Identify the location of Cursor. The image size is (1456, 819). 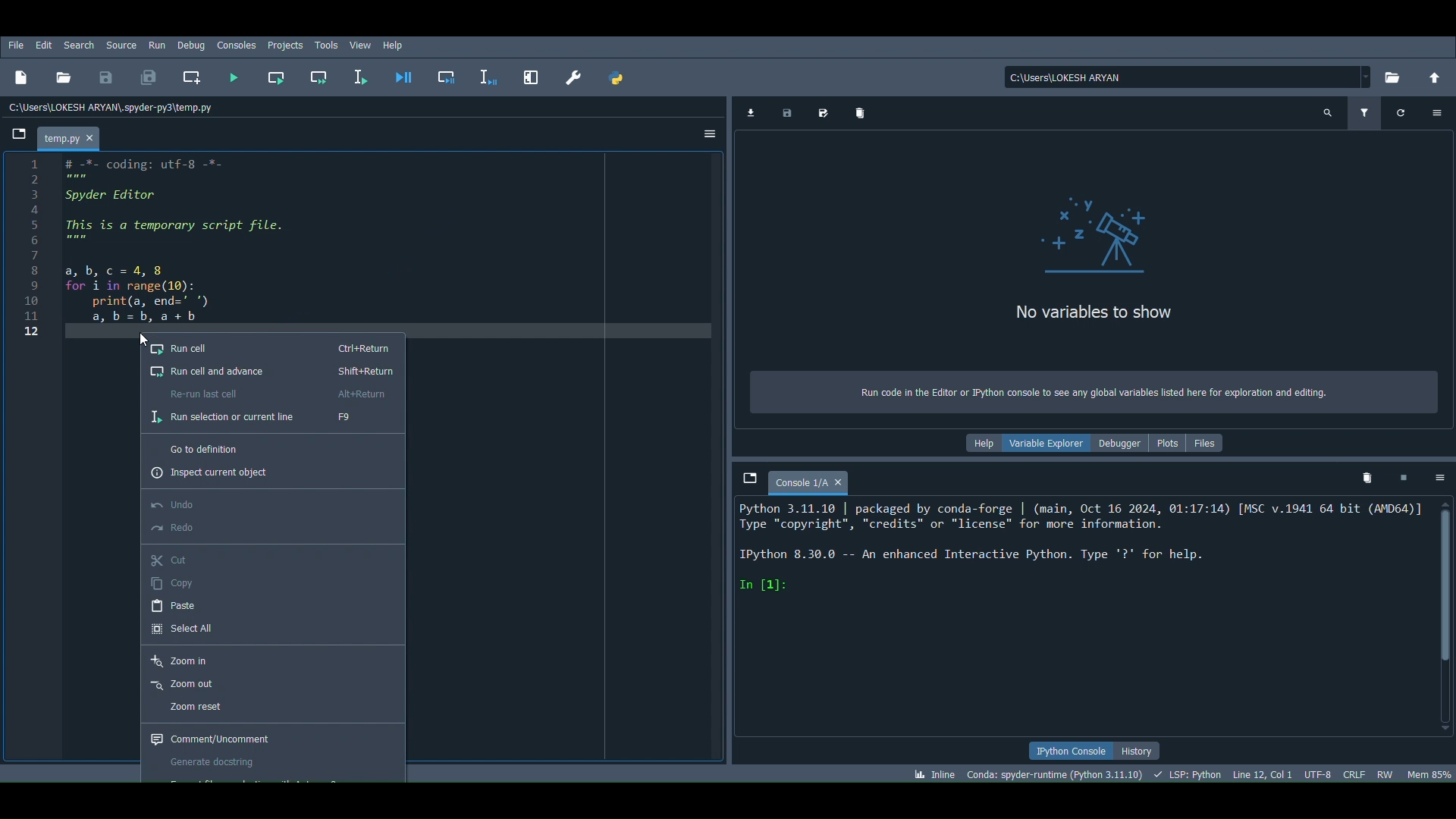
(142, 337).